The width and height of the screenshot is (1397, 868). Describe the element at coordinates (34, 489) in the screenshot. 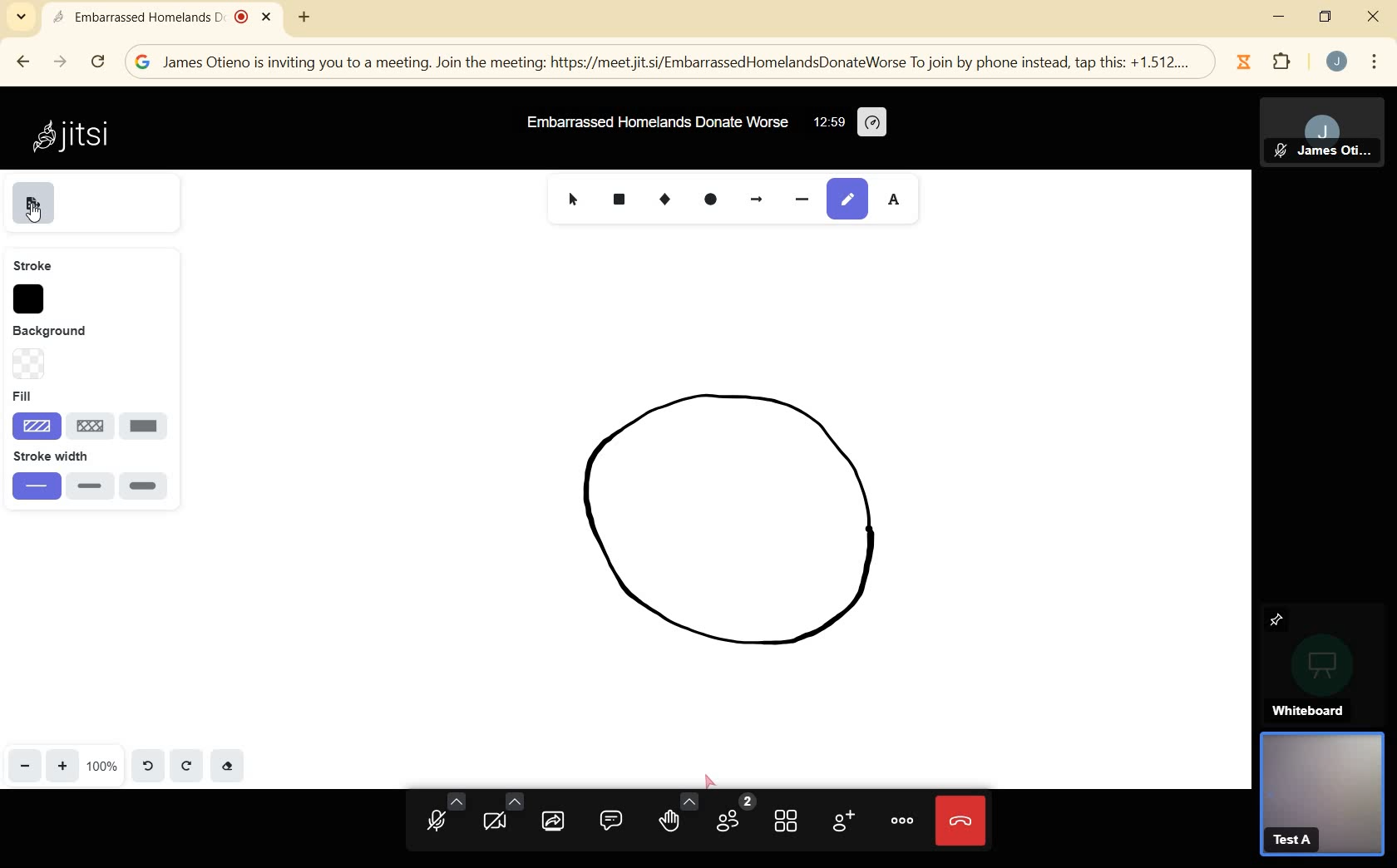

I see `small` at that location.